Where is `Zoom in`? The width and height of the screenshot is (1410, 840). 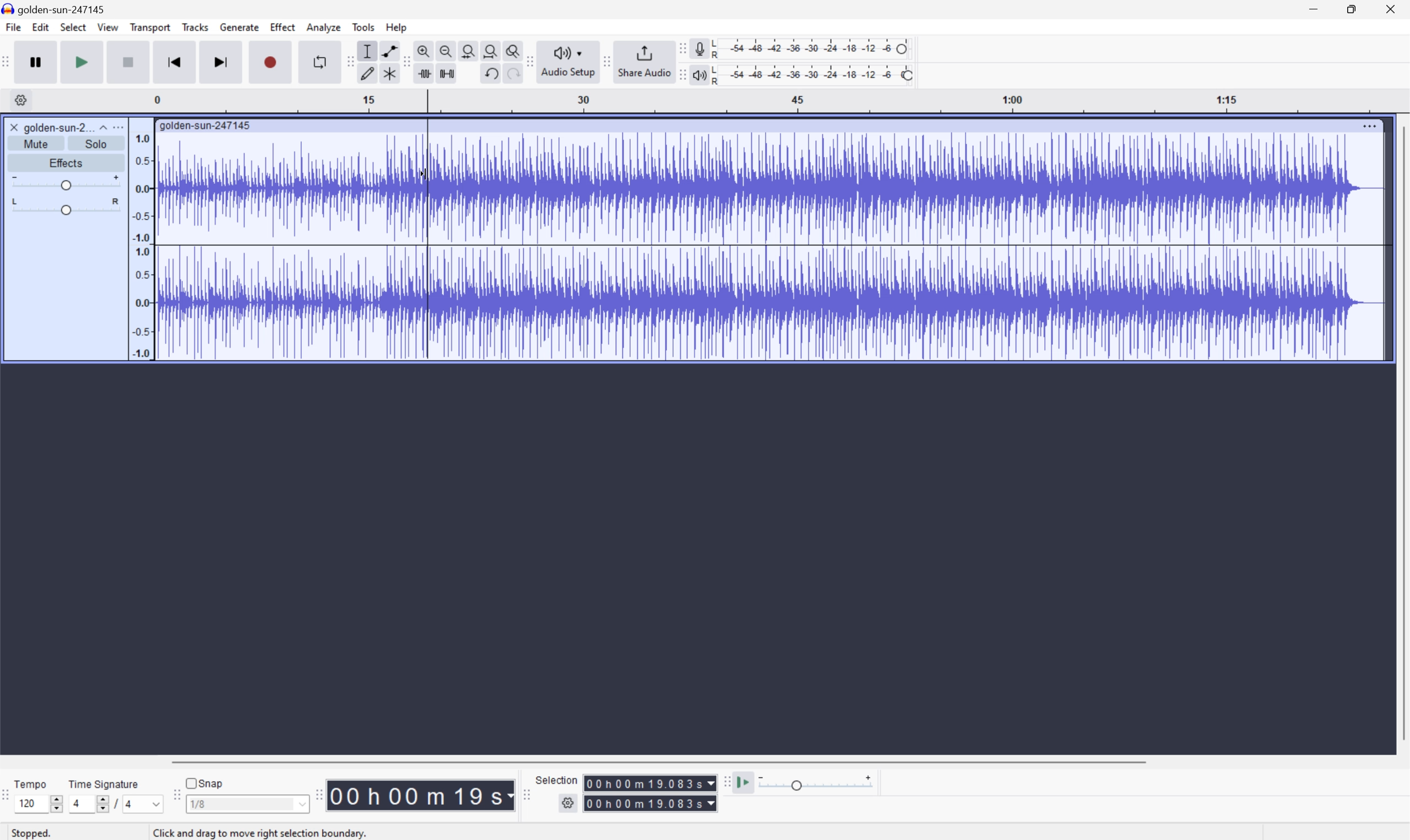
Zoom in is located at coordinates (423, 51).